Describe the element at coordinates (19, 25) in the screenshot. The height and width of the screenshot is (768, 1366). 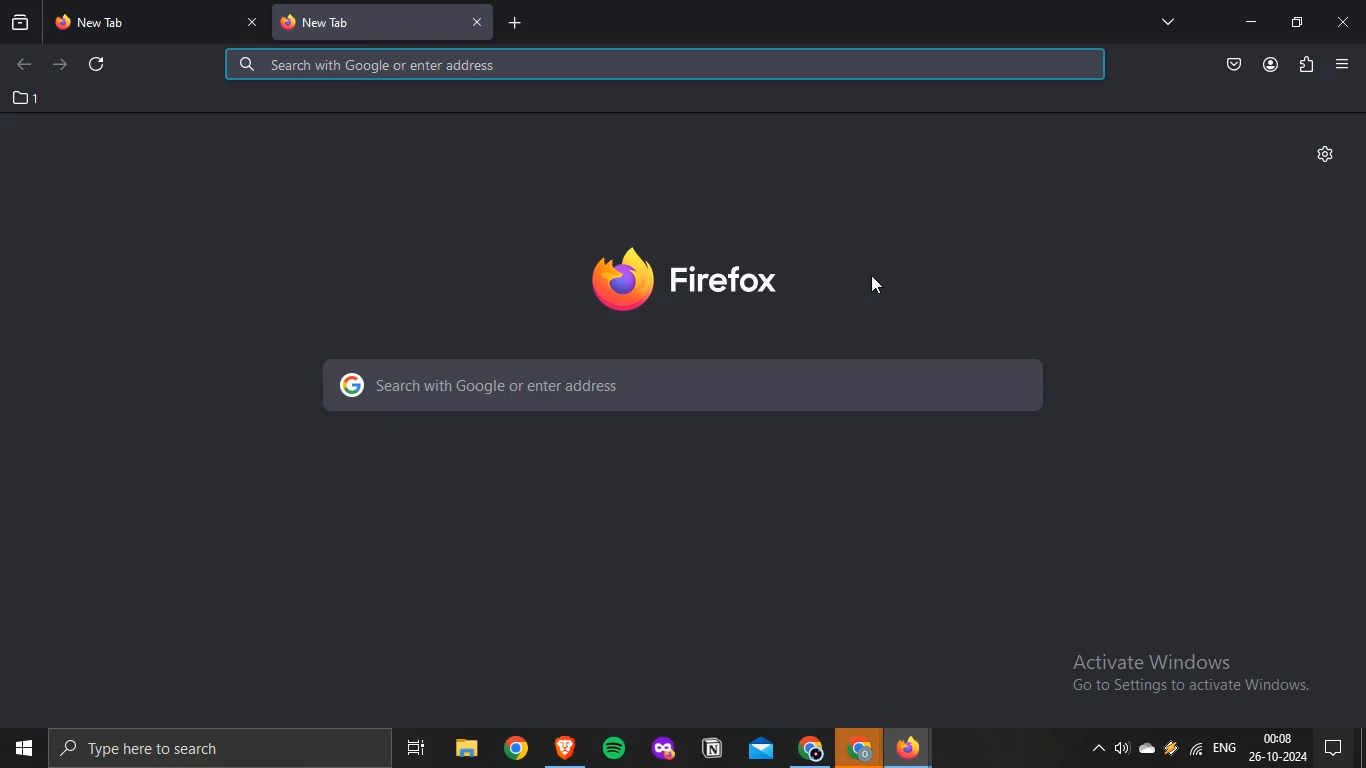
I see `recent browsing` at that location.